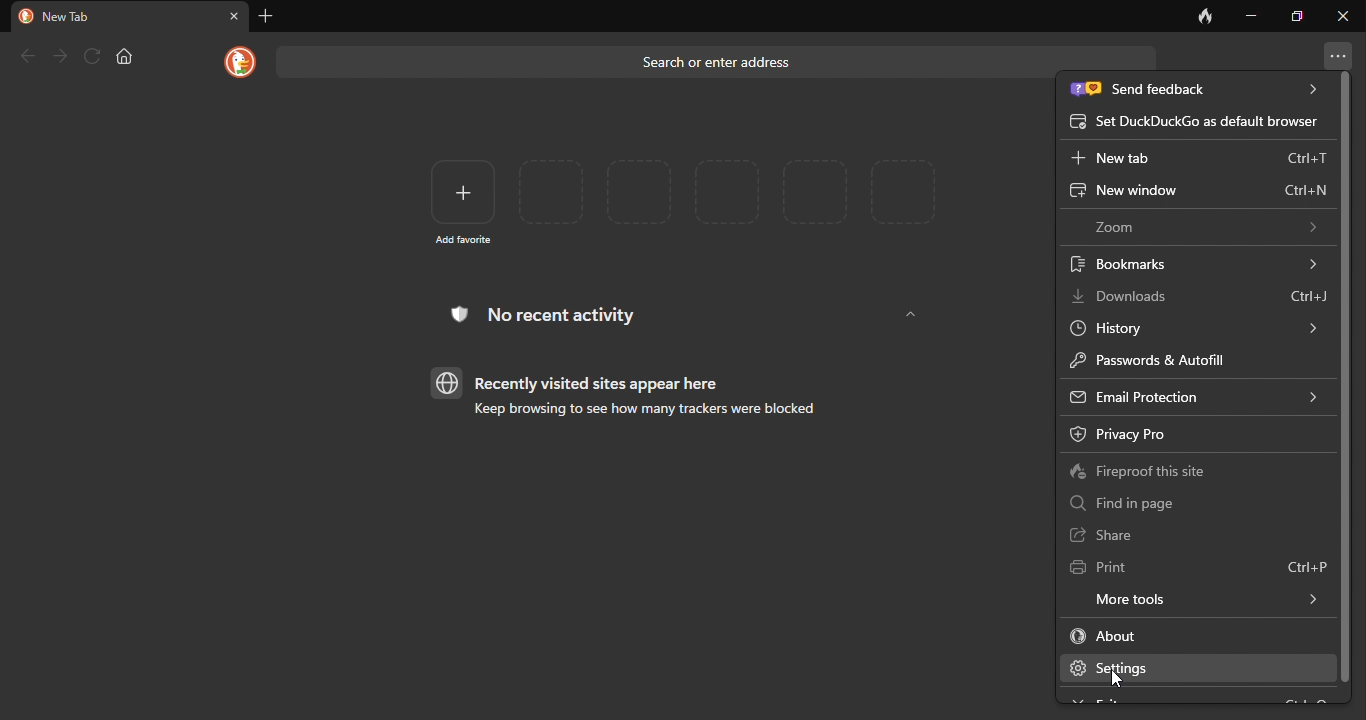 The image size is (1366, 720). Describe the element at coordinates (234, 15) in the screenshot. I see `close` at that location.